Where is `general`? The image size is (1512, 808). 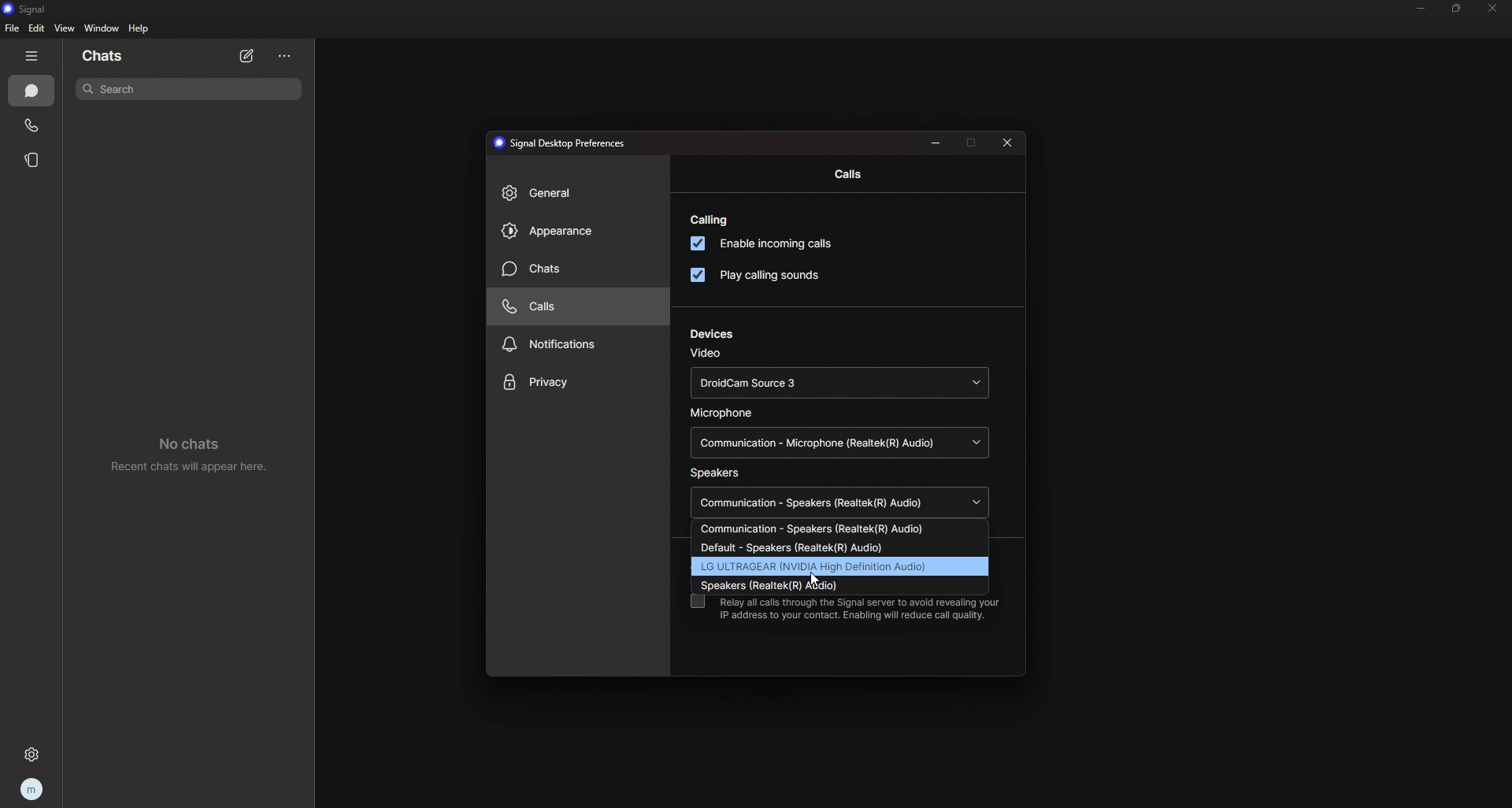 general is located at coordinates (577, 195).